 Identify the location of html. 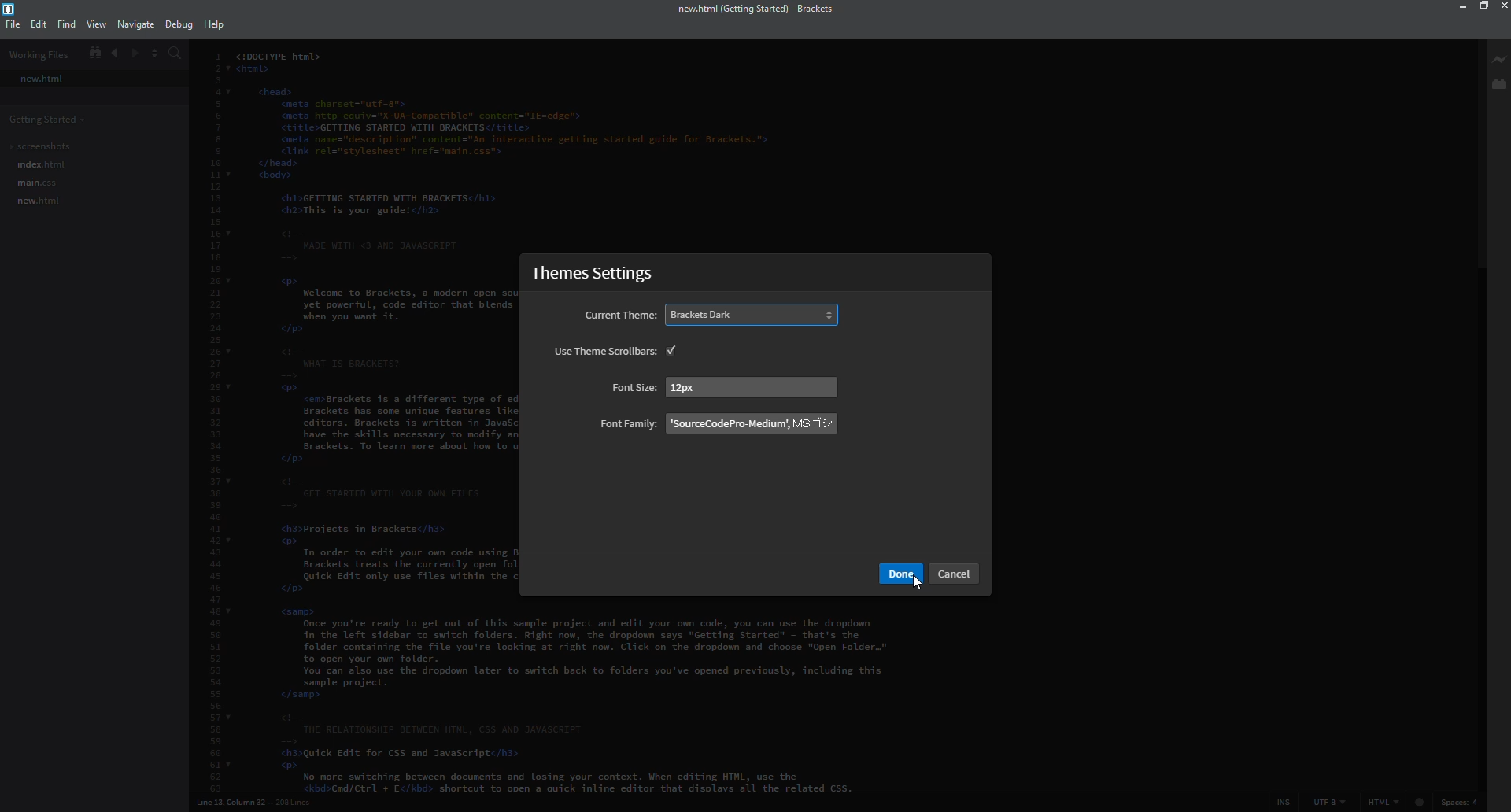
(1397, 802).